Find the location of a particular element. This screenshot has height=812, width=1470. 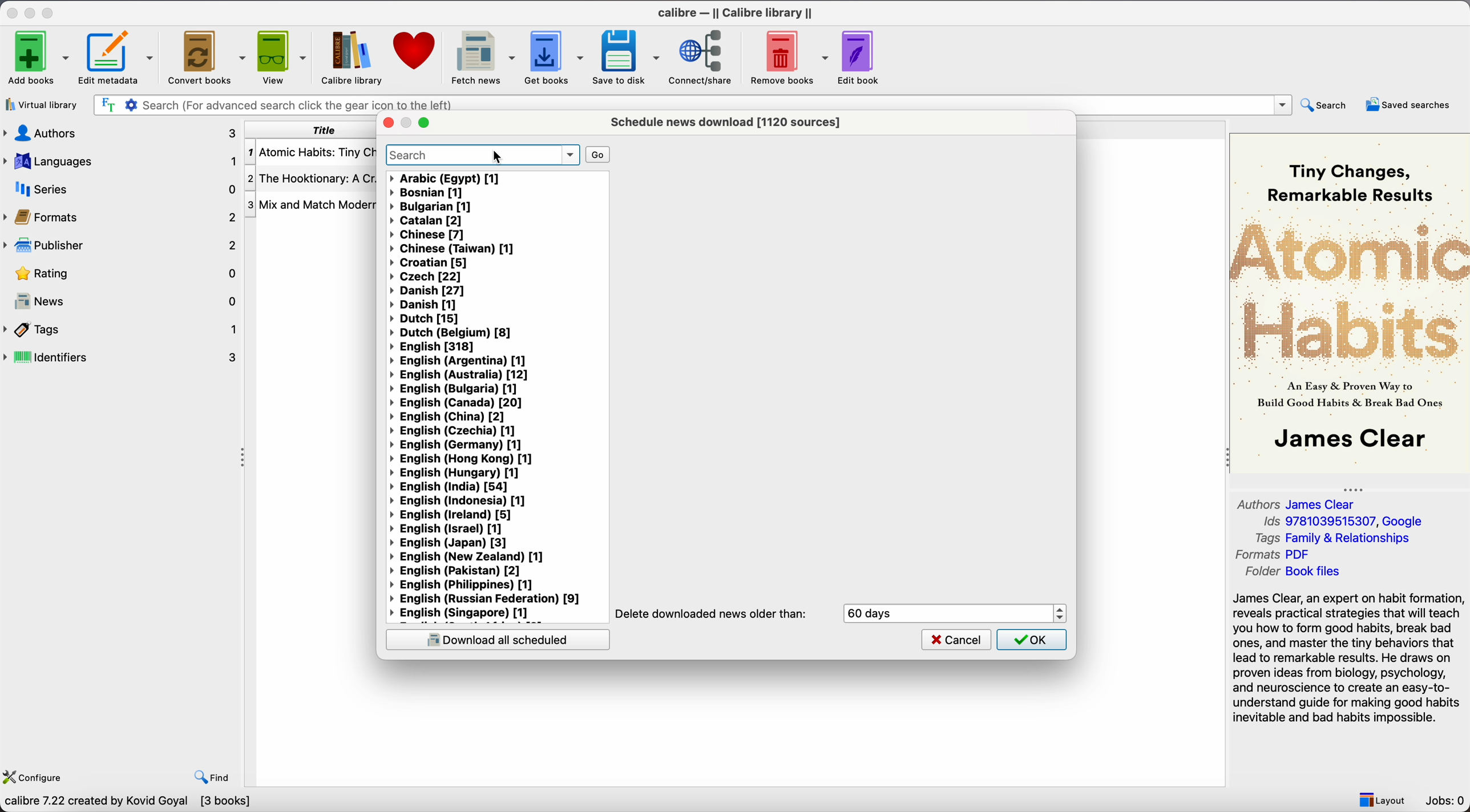

English (Canada) [20] is located at coordinates (455, 402).